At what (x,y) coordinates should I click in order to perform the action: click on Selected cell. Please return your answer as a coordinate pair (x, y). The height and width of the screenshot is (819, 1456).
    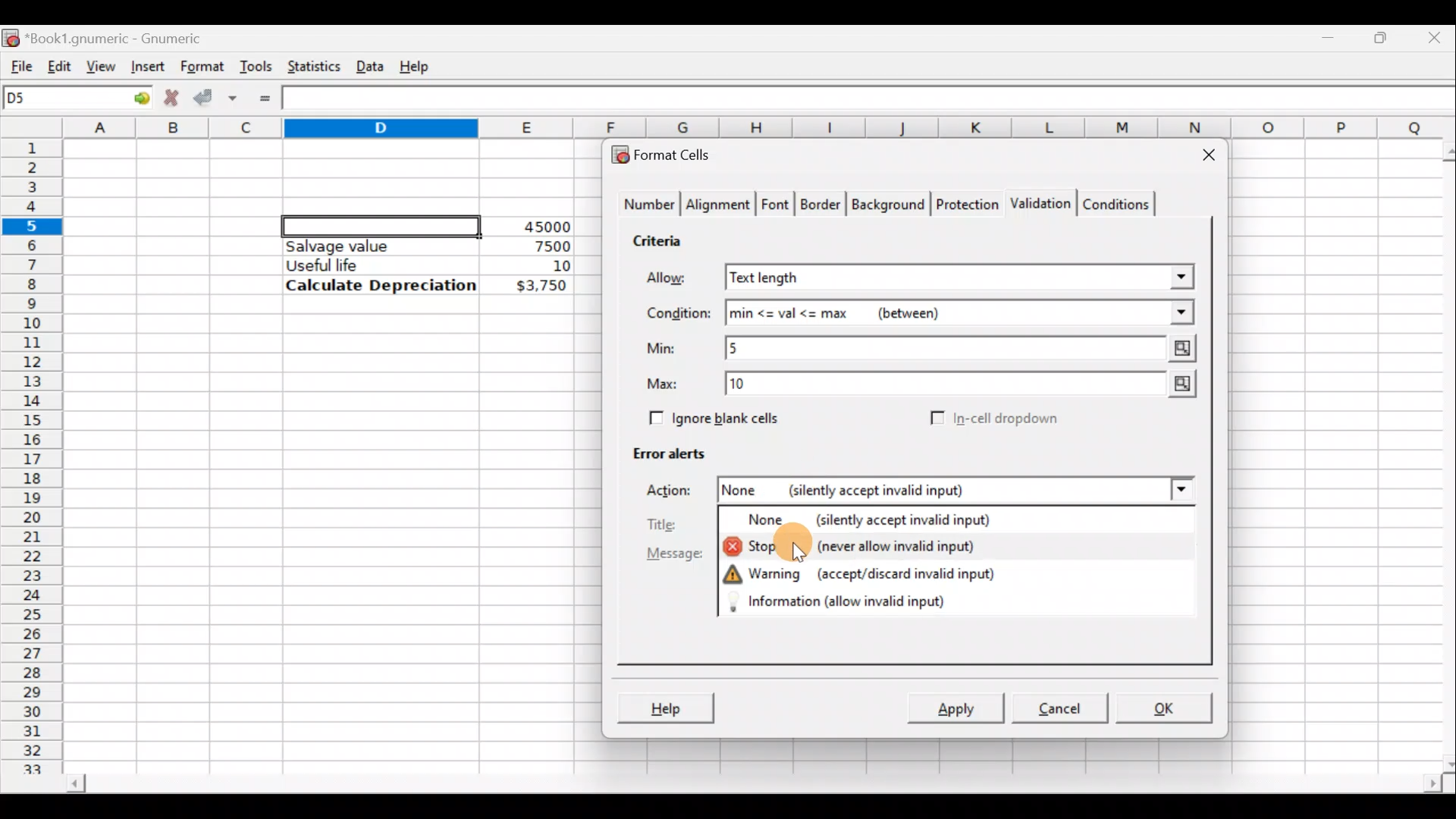
    Looking at the image, I should click on (381, 224).